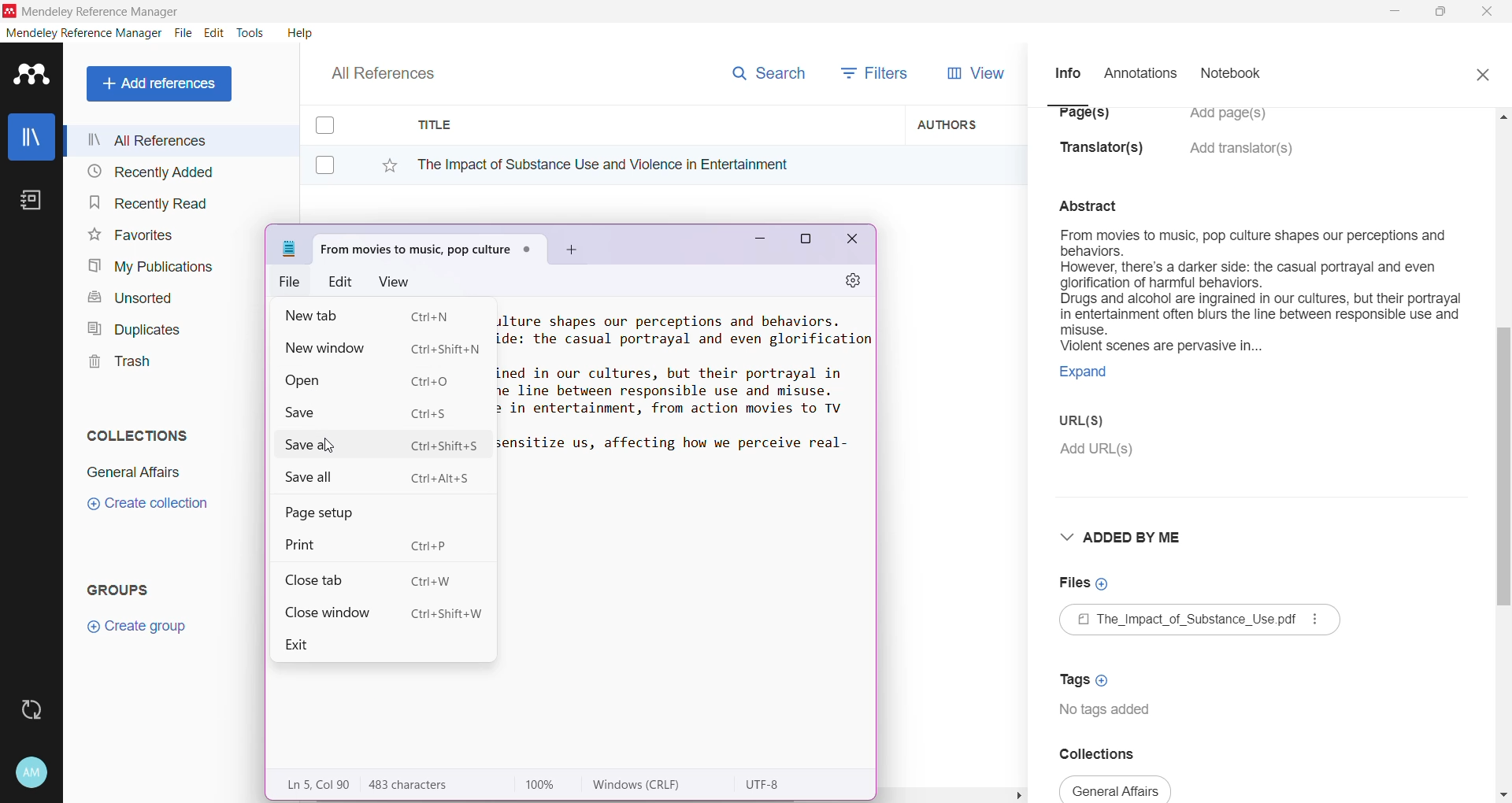 The width and height of the screenshot is (1512, 803). I want to click on Character encoding used, so click(766, 785).